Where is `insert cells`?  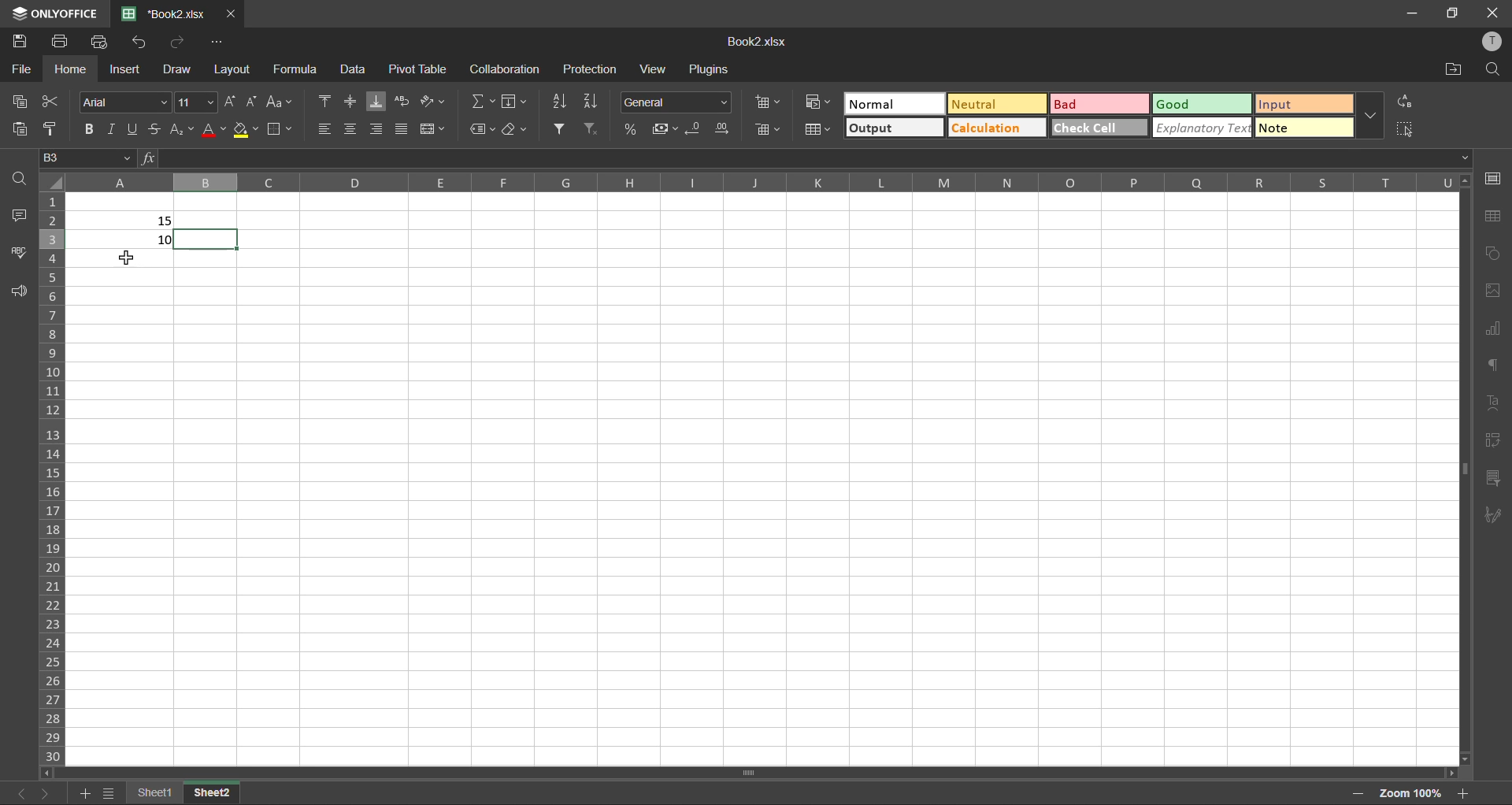 insert cells is located at coordinates (764, 104).